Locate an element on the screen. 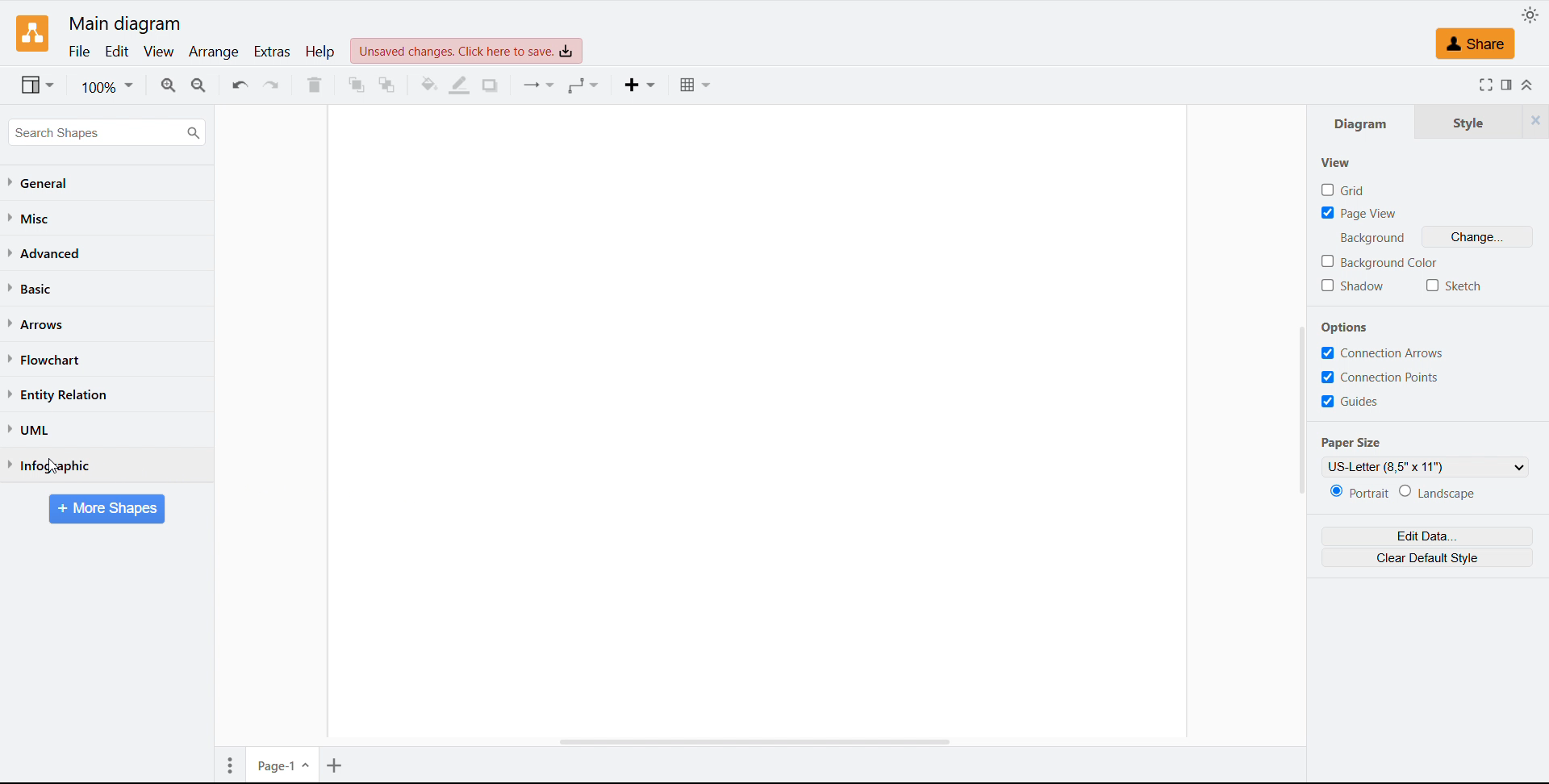  grid  is located at coordinates (1341, 190).